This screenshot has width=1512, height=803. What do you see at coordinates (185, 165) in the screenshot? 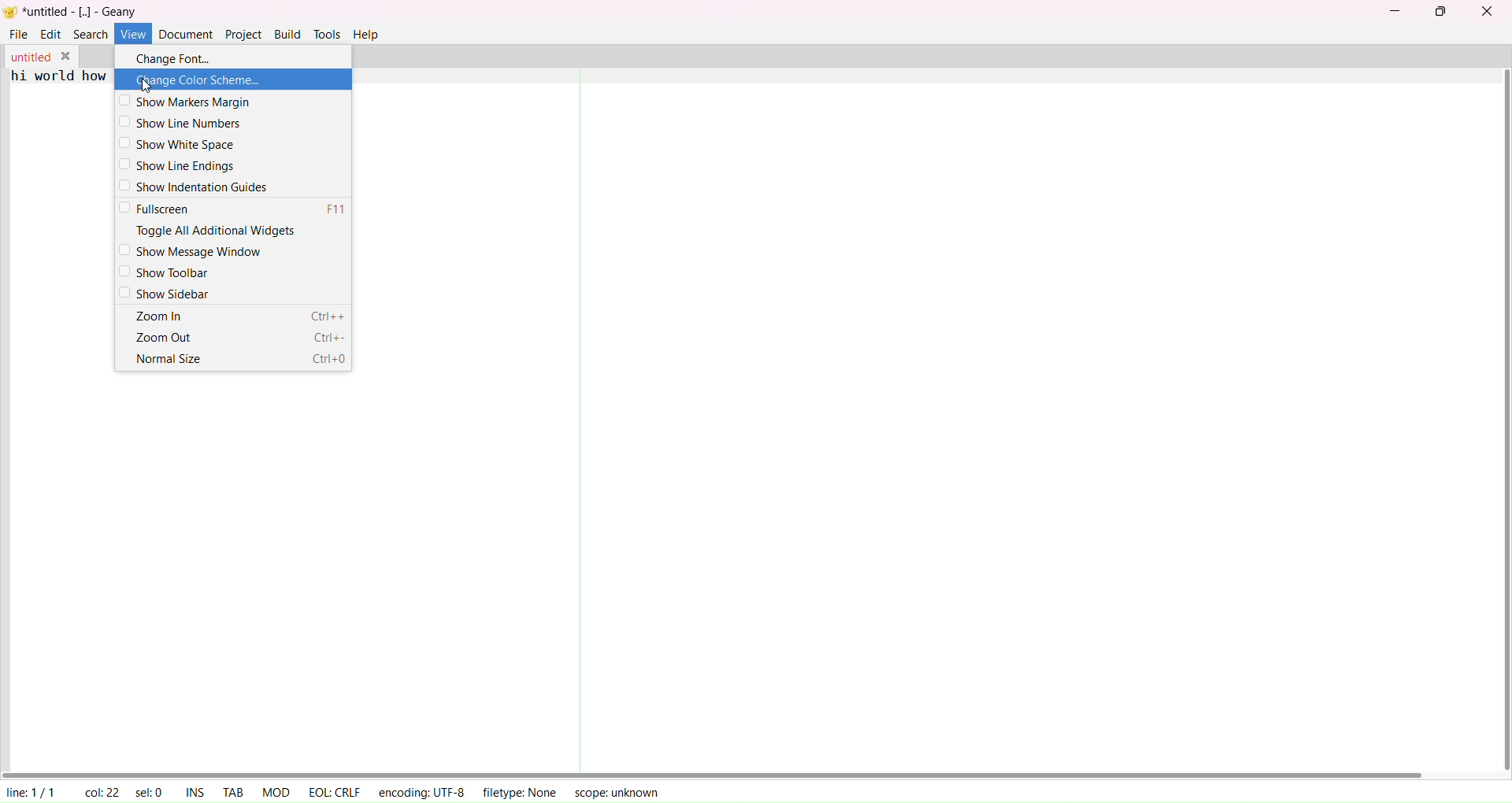
I see `show line endings` at bounding box center [185, 165].